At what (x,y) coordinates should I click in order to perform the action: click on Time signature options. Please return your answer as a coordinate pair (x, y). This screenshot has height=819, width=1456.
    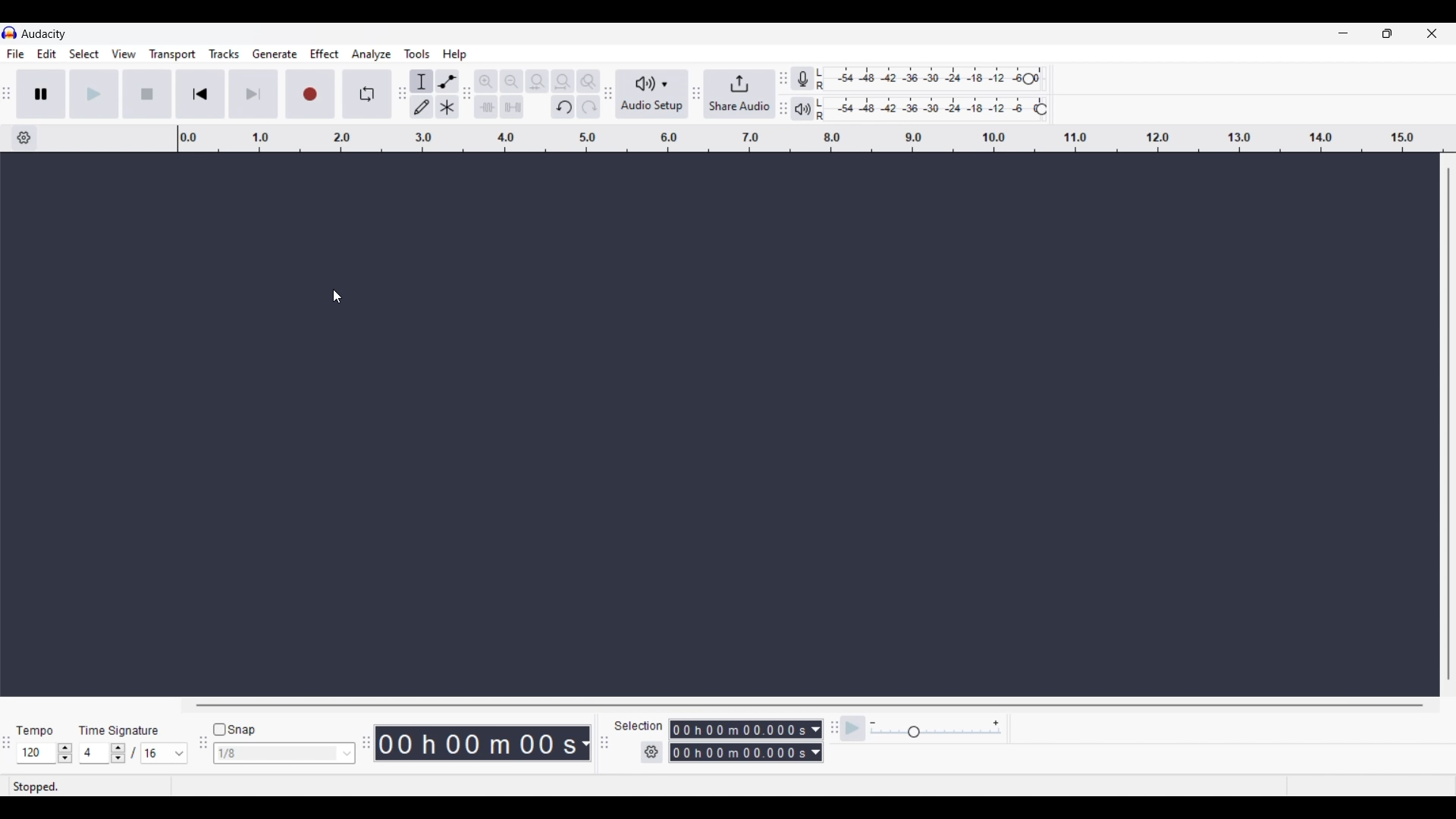
    Looking at the image, I should click on (180, 754).